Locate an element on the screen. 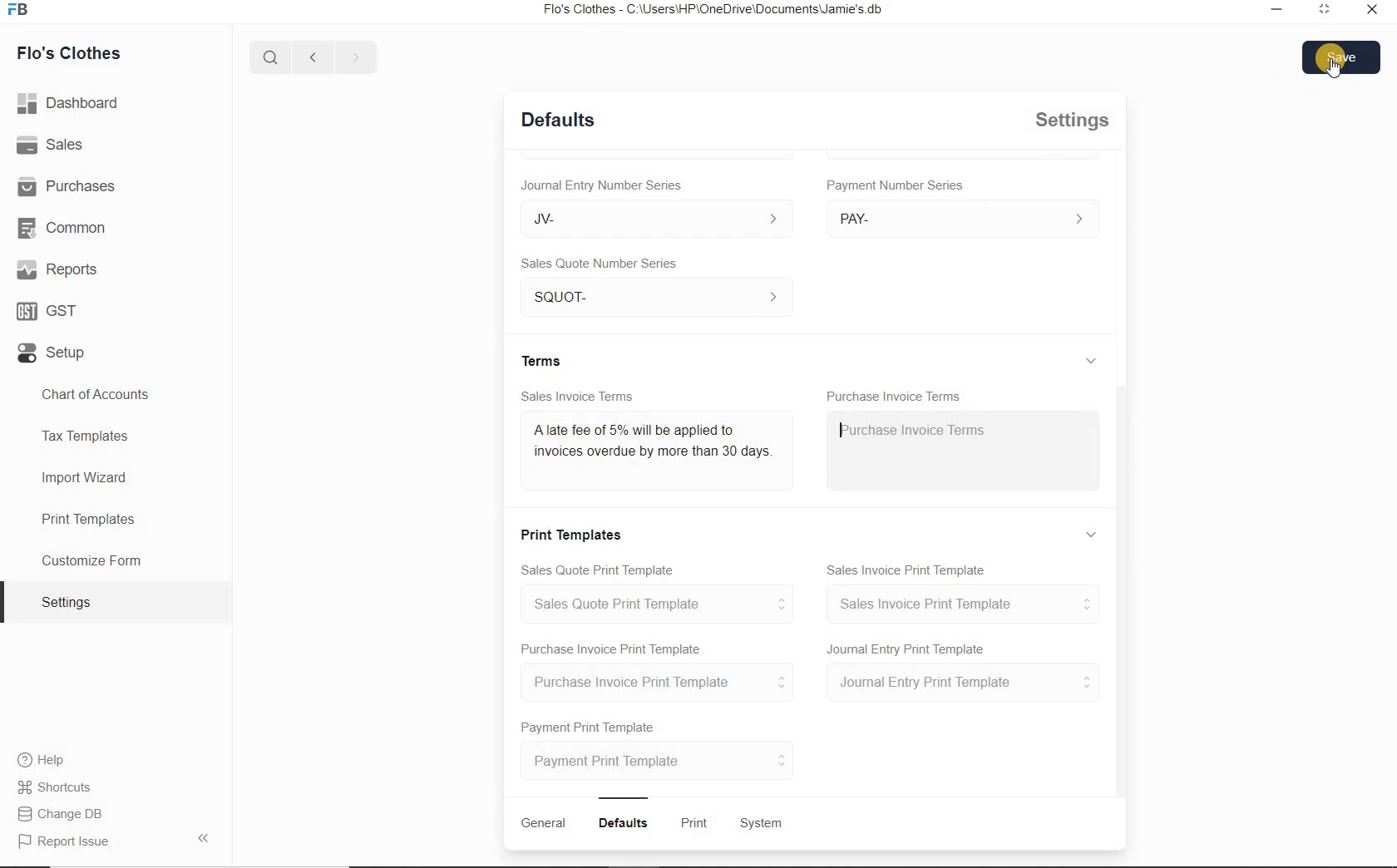  Sales Quote Print Template is located at coordinates (664, 604).